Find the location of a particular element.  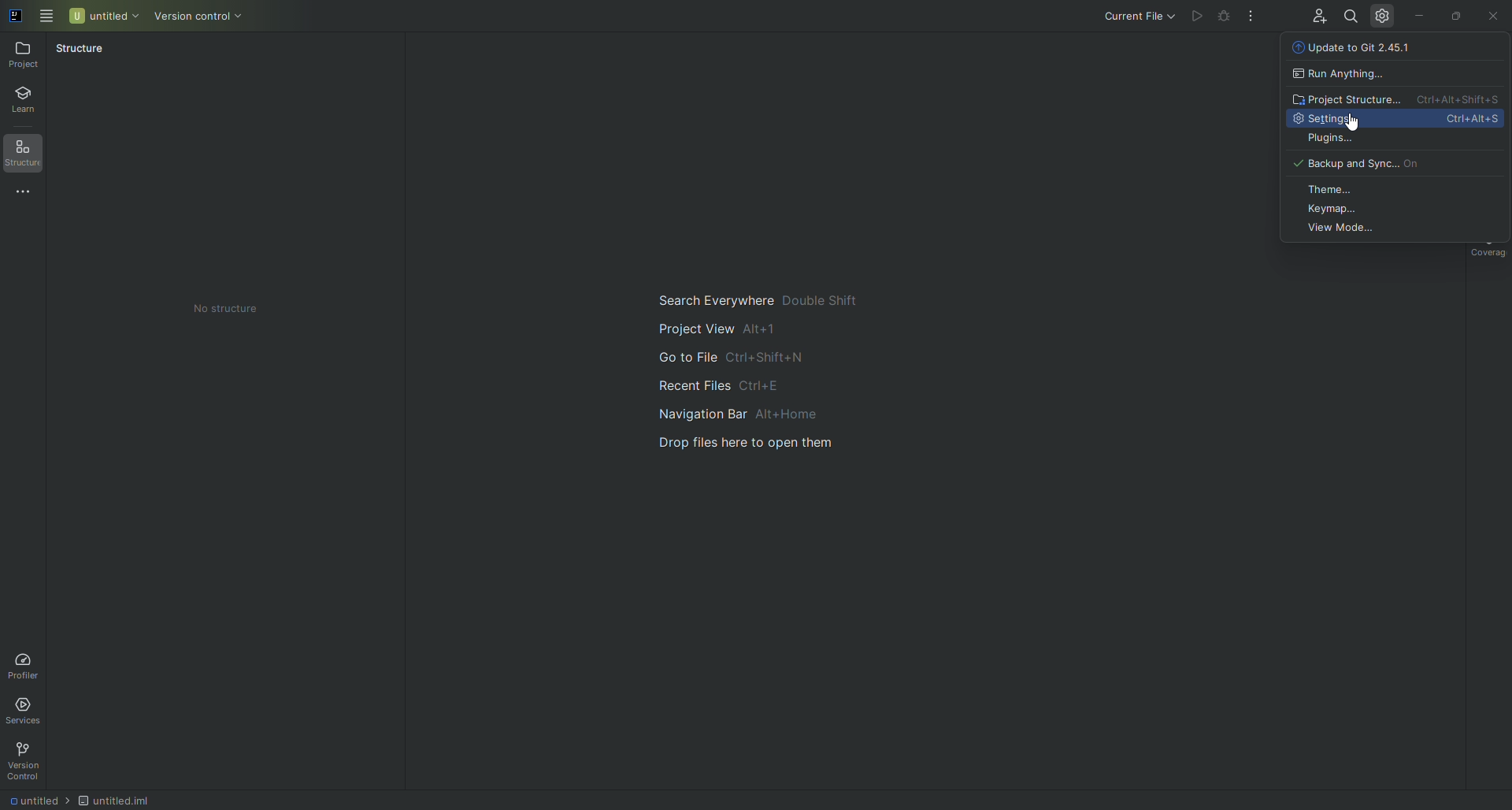

Main Menu is located at coordinates (43, 17).